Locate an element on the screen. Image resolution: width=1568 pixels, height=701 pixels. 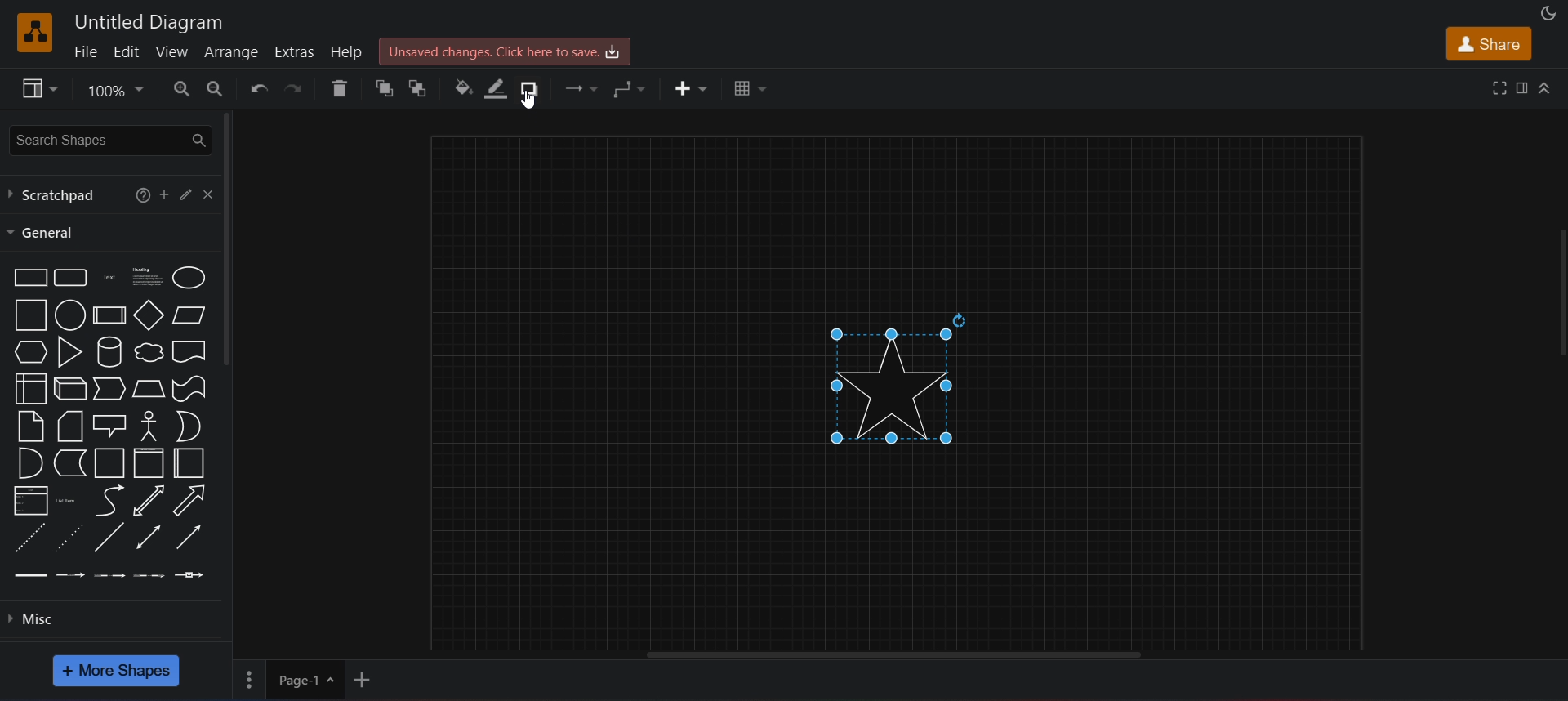
circle is located at coordinates (69, 314).